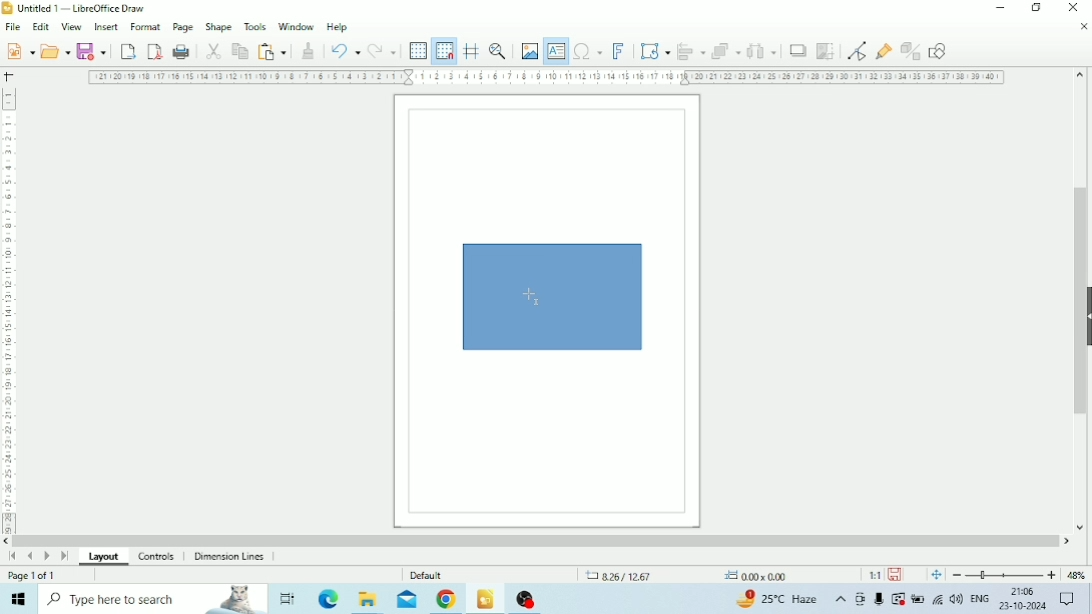 The width and height of the screenshot is (1092, 614). What do you see at coordinates (428, 574) in the screenshot?
I see `Default` at bounding box center [428, 574].